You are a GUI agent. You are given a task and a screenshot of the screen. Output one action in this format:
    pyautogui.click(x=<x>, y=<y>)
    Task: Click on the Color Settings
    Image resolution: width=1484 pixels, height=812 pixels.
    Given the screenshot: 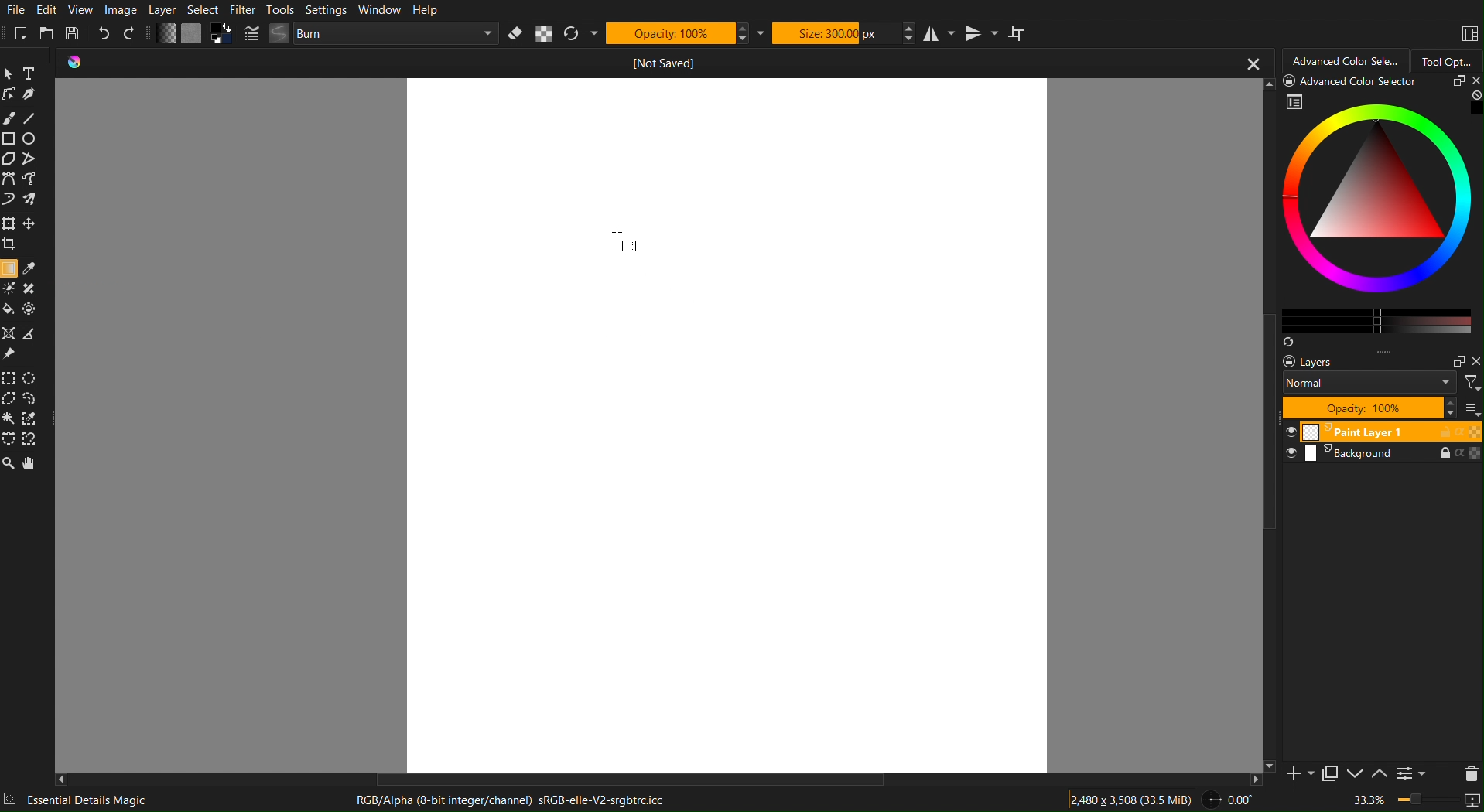 What is the action you would take?
    pyautogui.click(x=192, y=36)
    